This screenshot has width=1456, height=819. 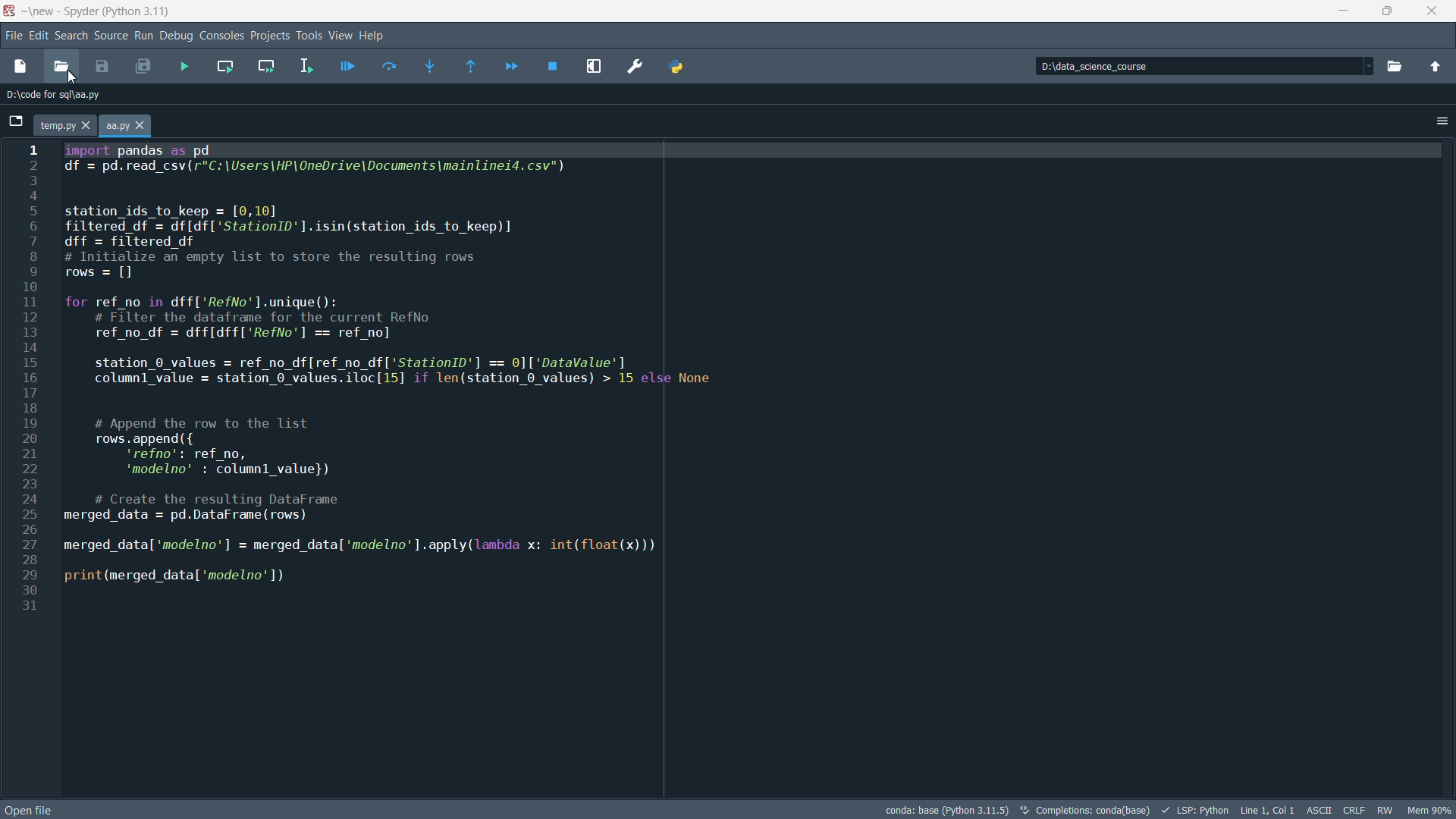 What do you see at coordinates (271, 35) in the screenshot?
I see `projects menu` at bounding box center [271, 35].